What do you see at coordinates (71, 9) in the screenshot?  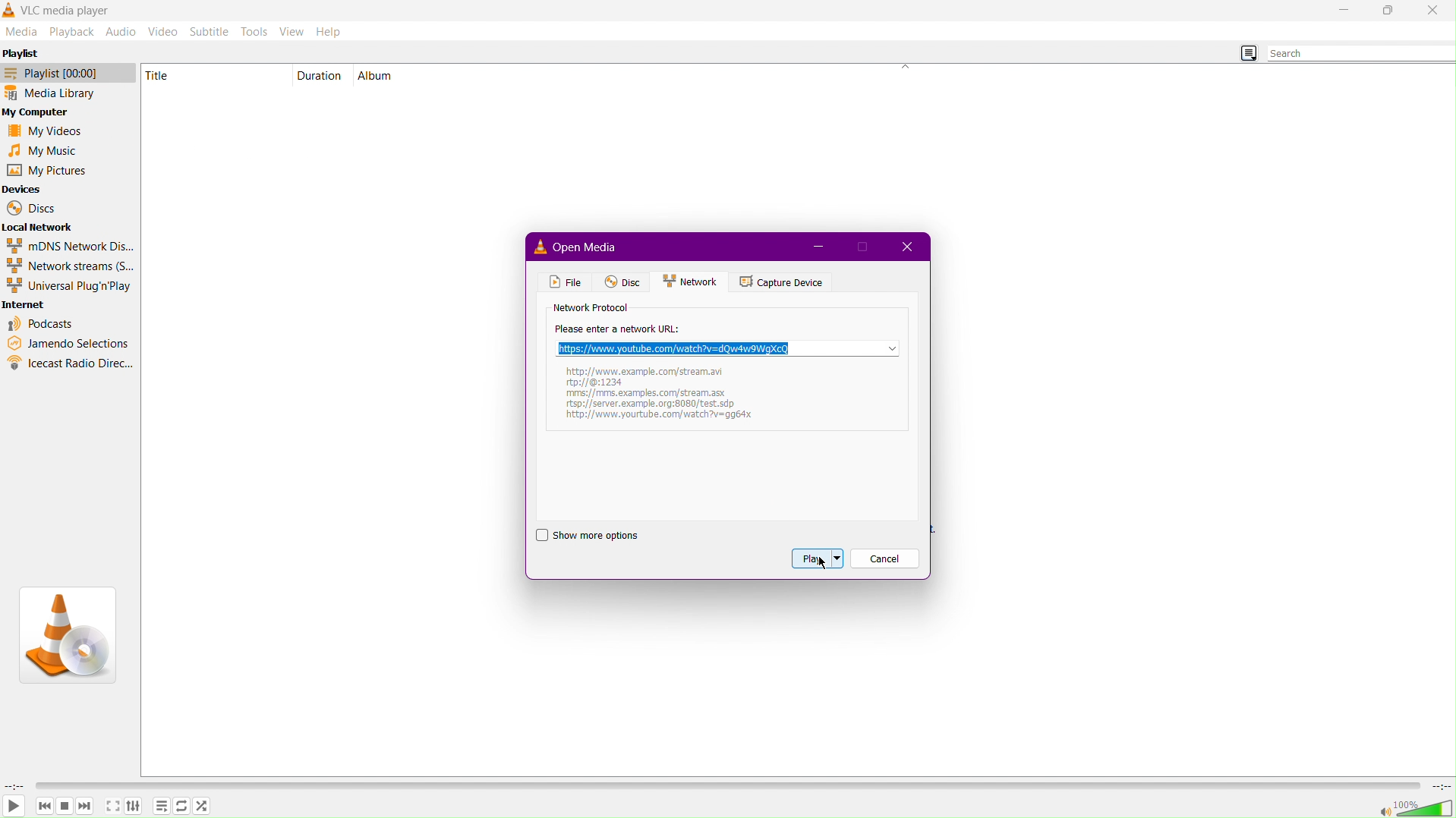 I see `VLC Media` at bounding box center [71, 9].